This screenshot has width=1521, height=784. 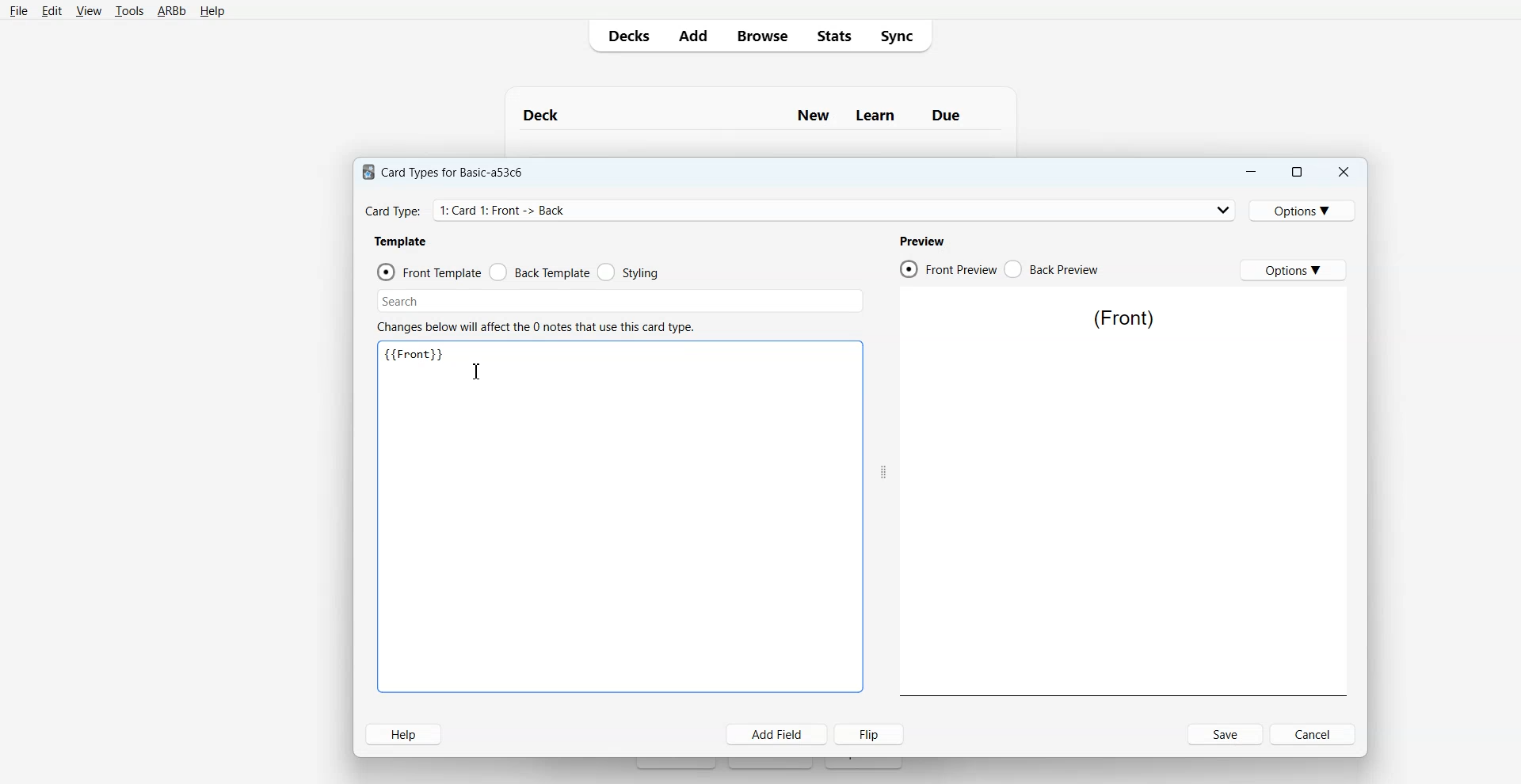 What do you see at coordinates (833, 35) in the screenshot?
I see `Stats` at bounding box center [833, 35].